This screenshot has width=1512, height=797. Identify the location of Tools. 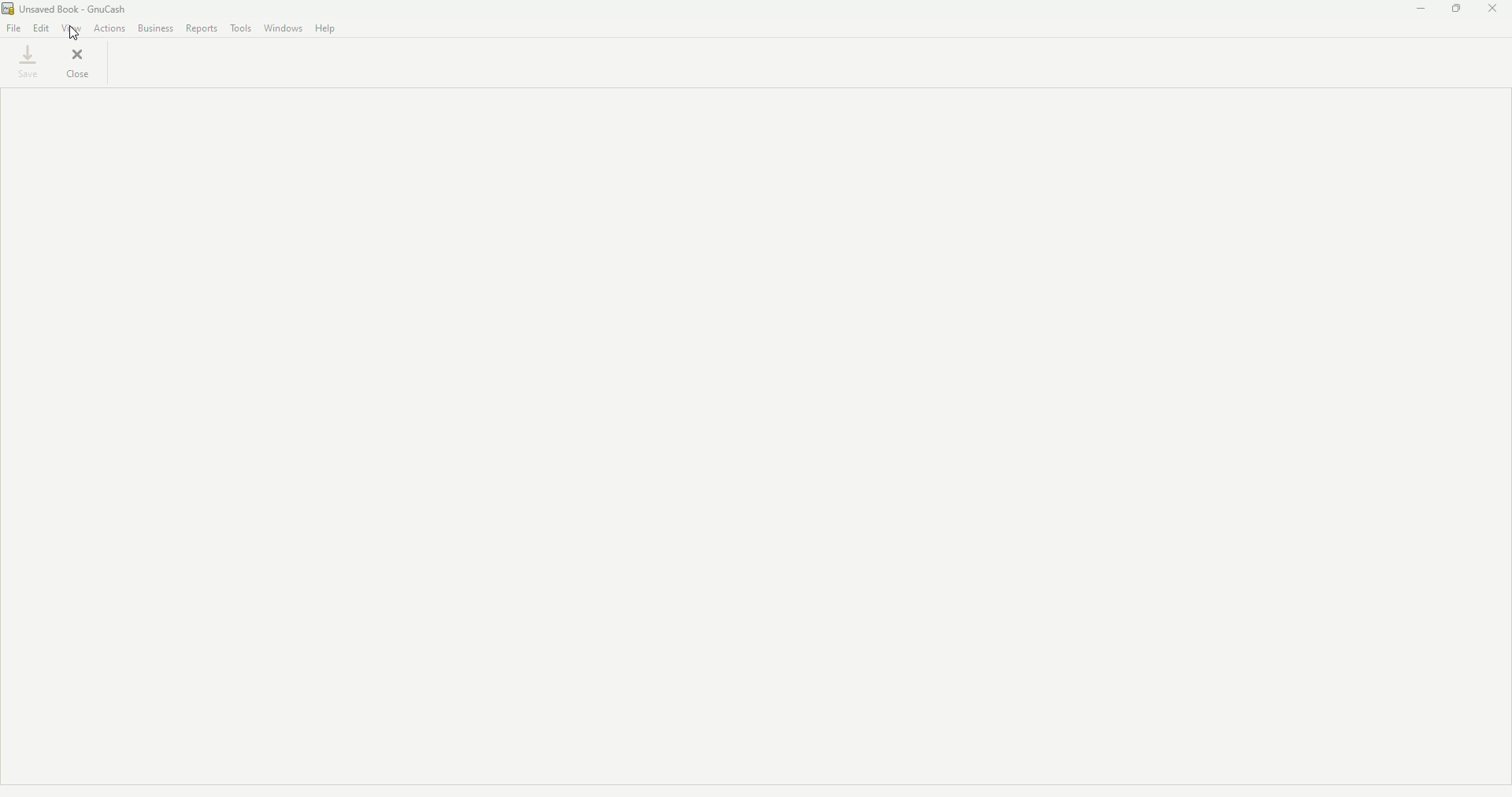
(241, 28).